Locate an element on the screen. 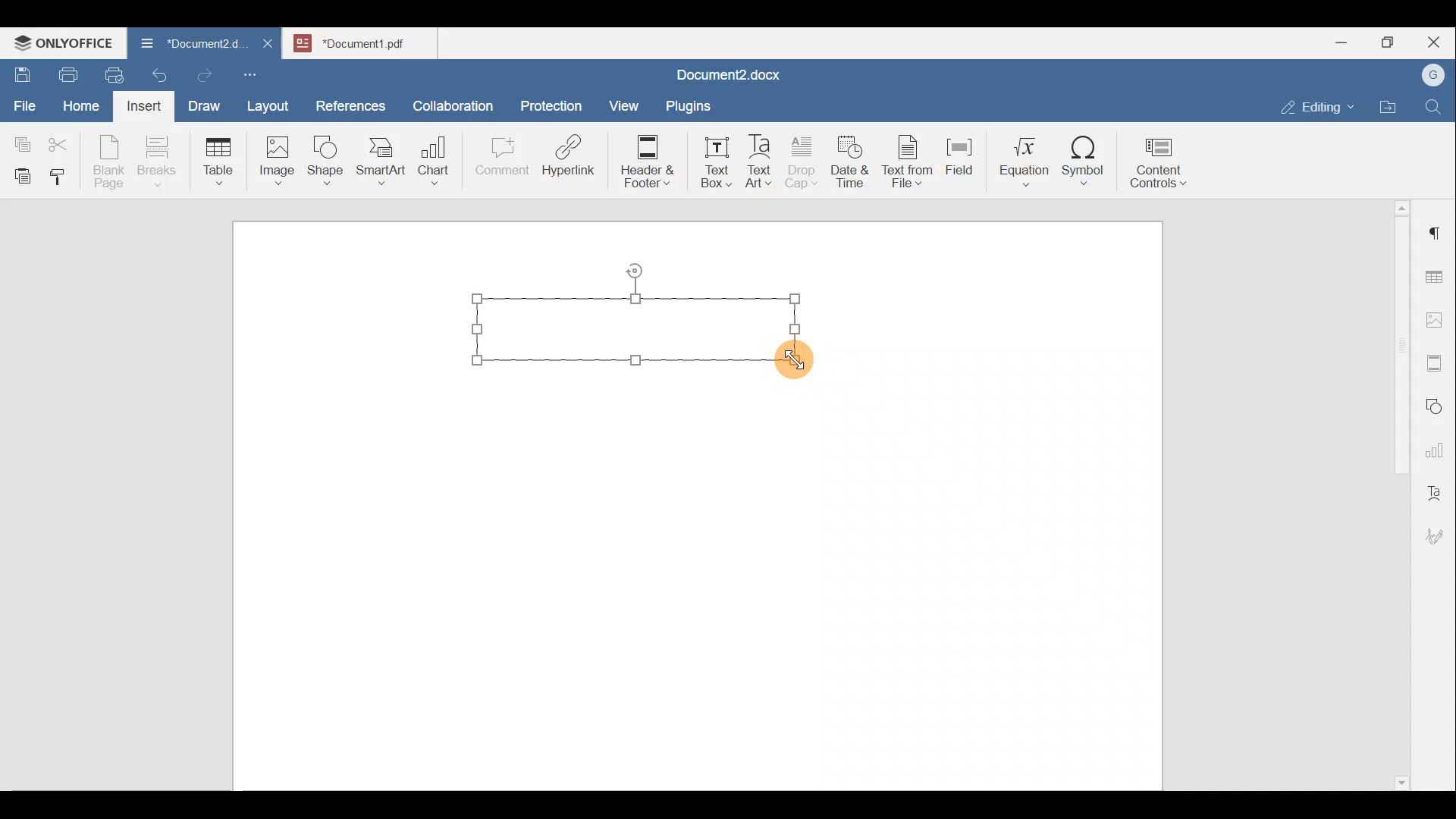 The height and width of the screenshot is (819, 1456). Copy style is located at coordinates (63, 173).